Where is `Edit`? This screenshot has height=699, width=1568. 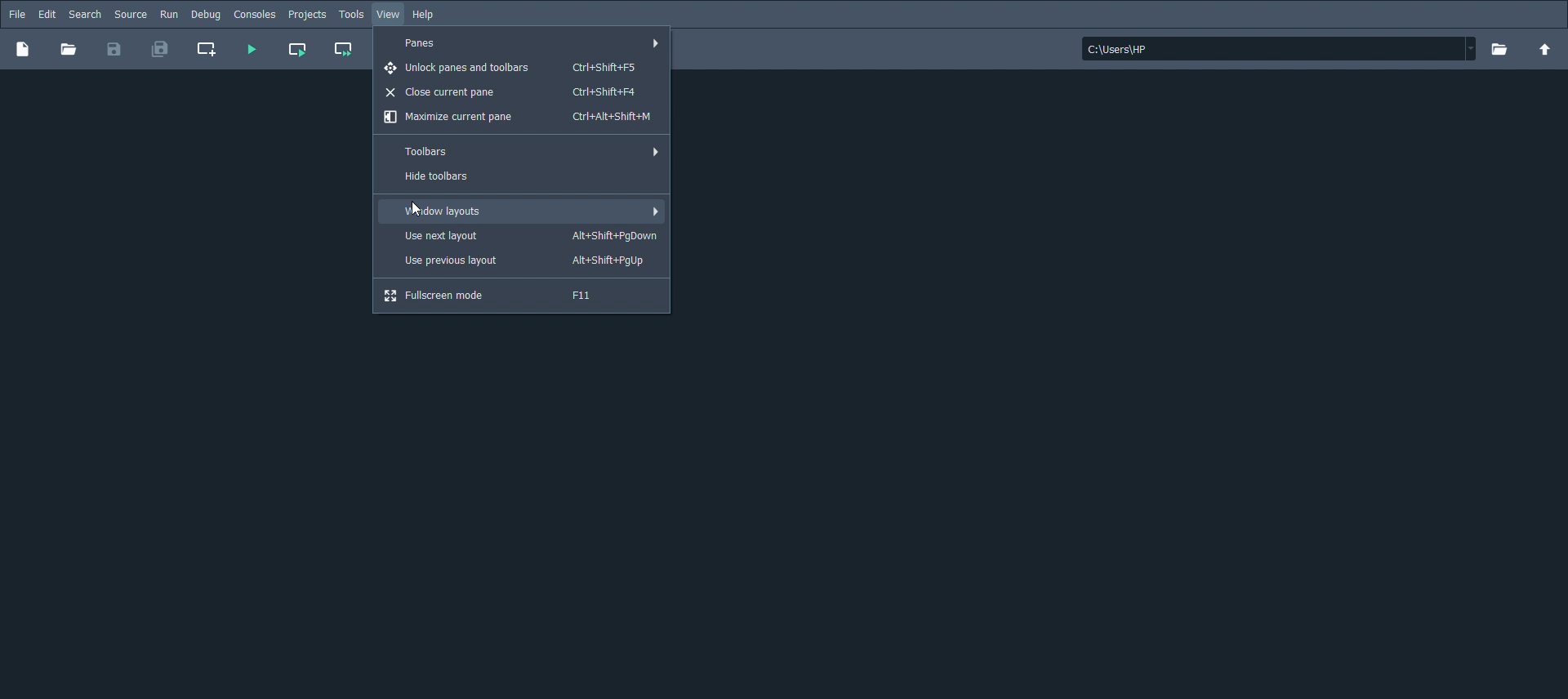
Edit is located at coordinates (46, 12).